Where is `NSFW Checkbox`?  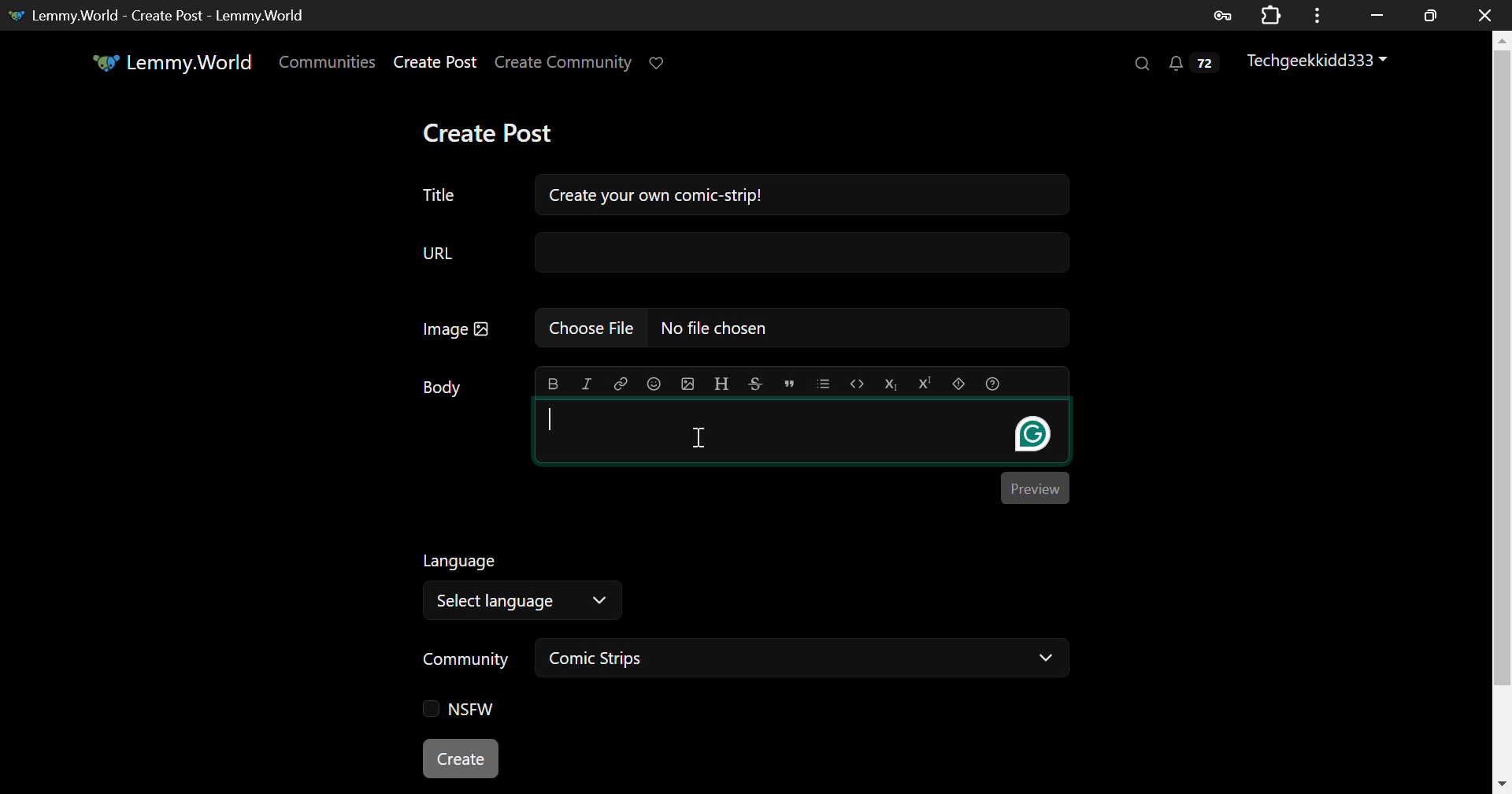 NSFW Checkbox is located at coordinates (459, 711).